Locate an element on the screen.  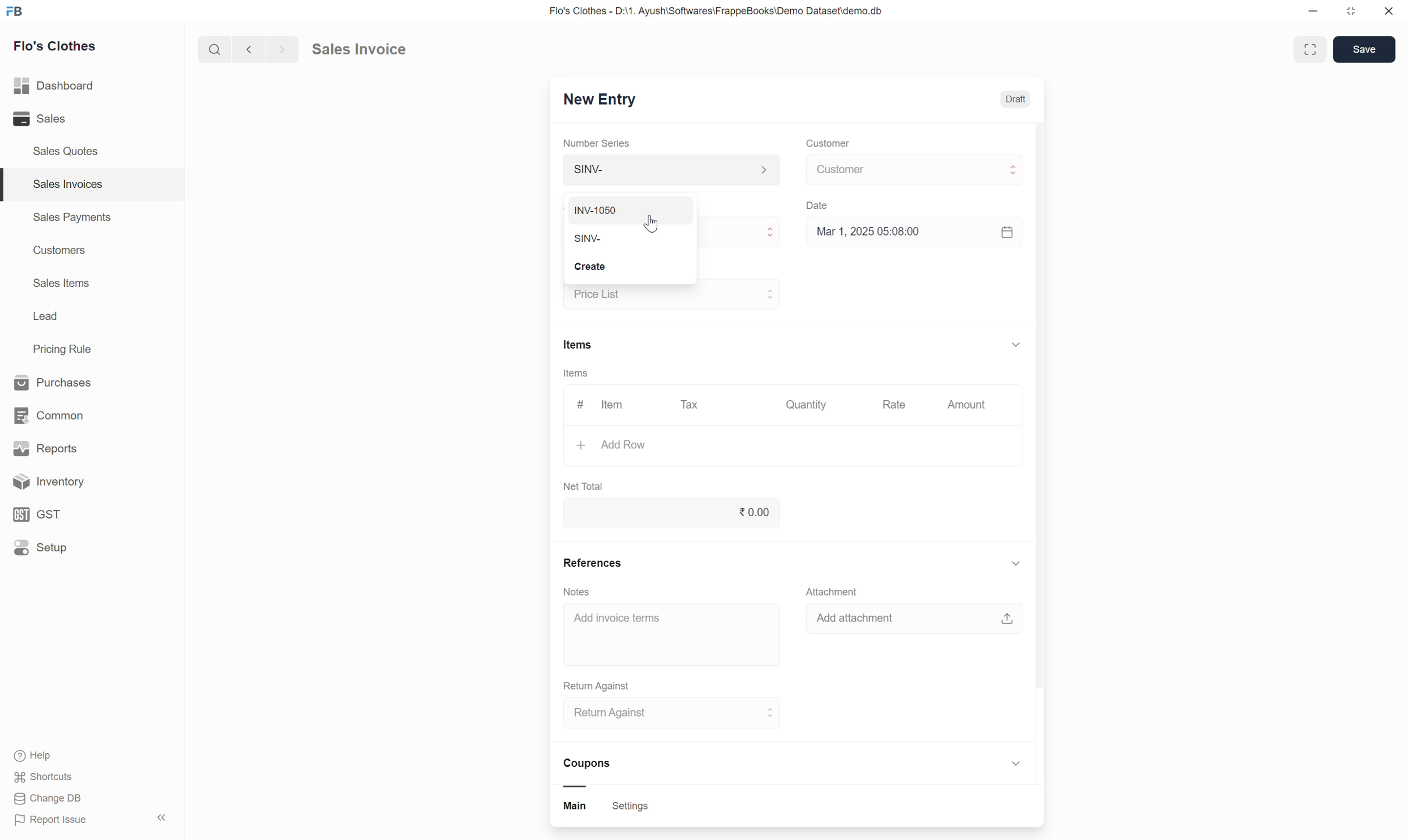
resize  is located at coordinates (1355, 14).